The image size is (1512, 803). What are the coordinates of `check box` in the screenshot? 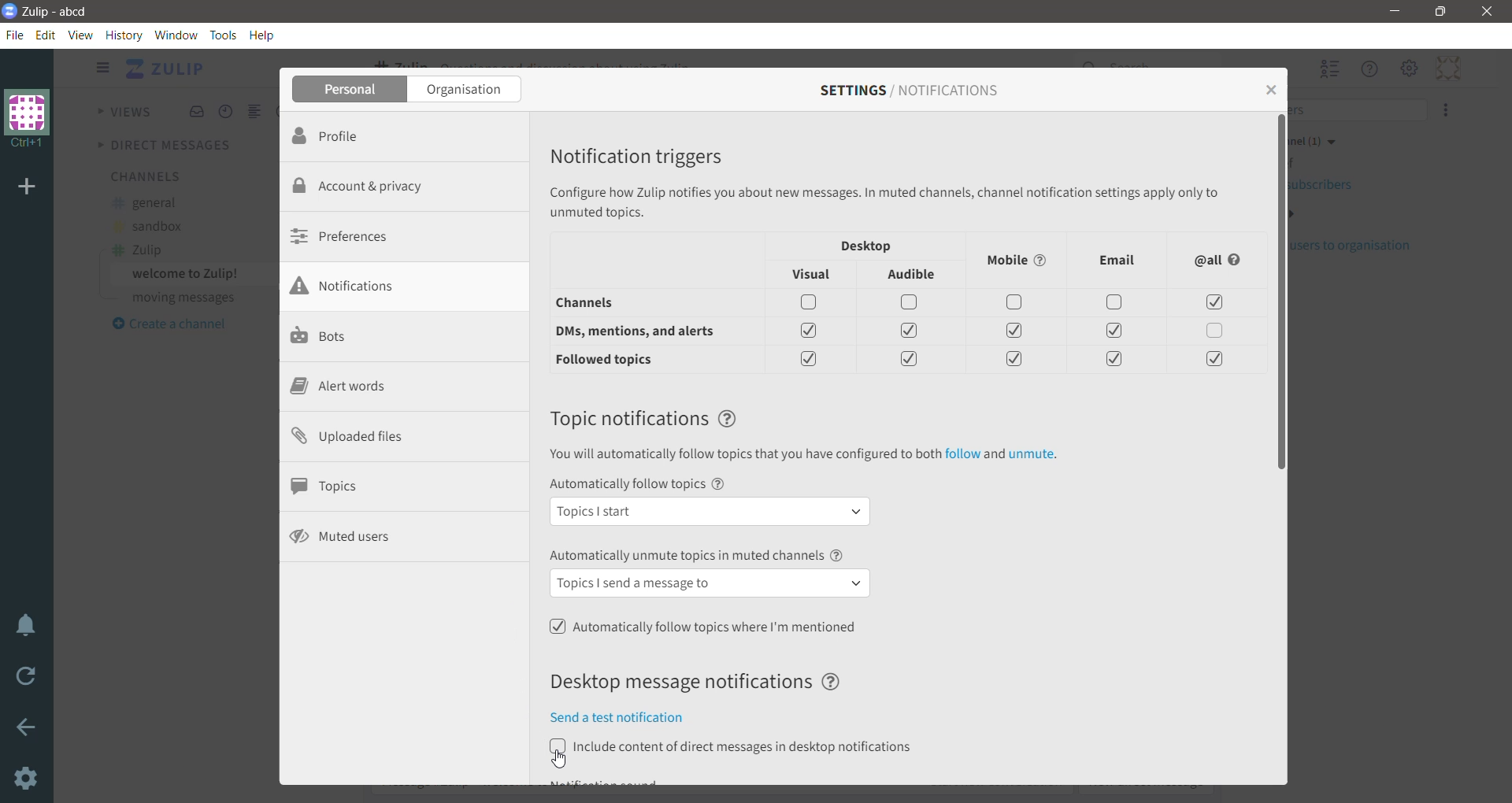 It's located at (1210, 359).